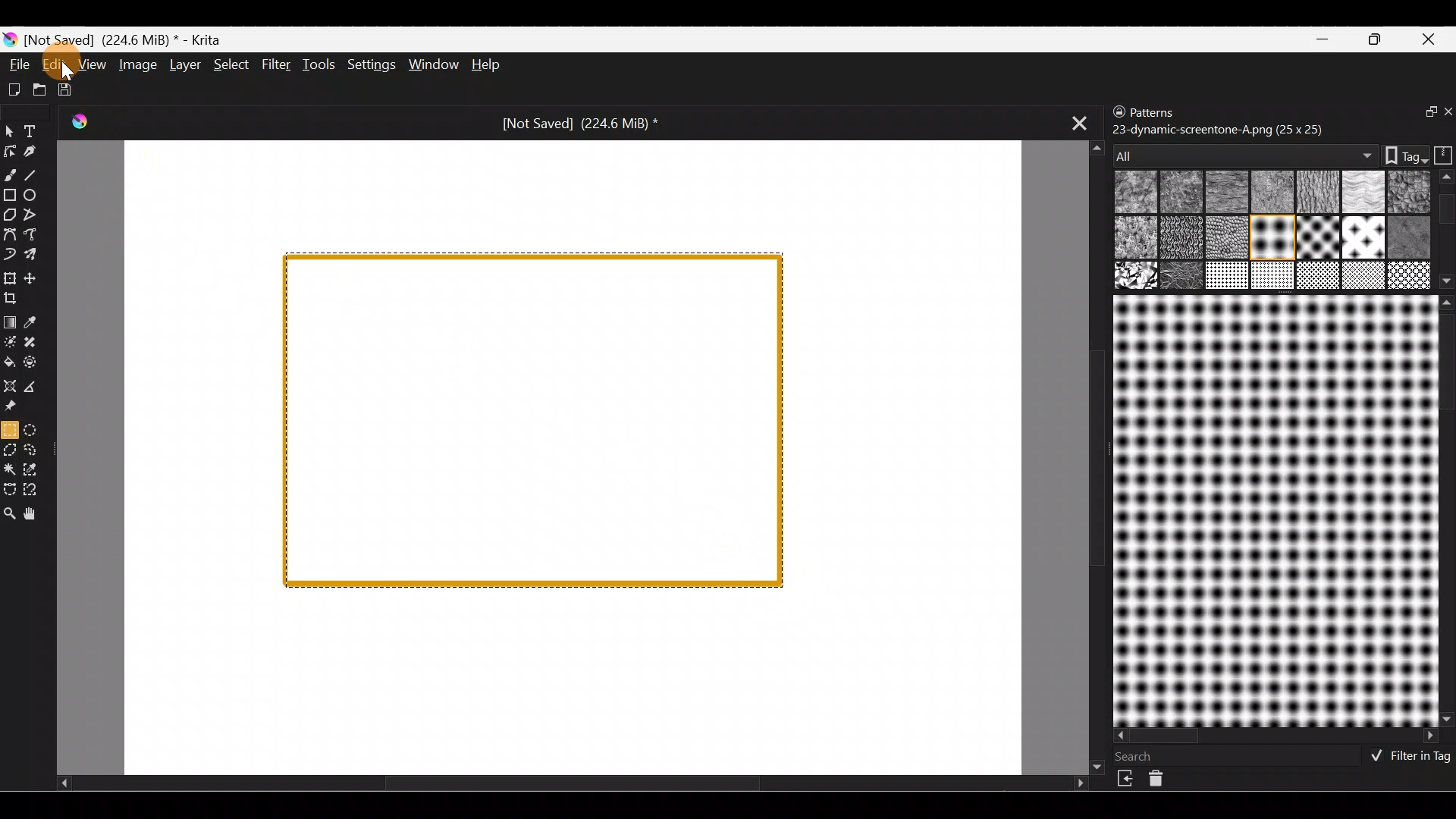  I want to click on Fill a contiguous area of colour with colour, so click(10, 362).